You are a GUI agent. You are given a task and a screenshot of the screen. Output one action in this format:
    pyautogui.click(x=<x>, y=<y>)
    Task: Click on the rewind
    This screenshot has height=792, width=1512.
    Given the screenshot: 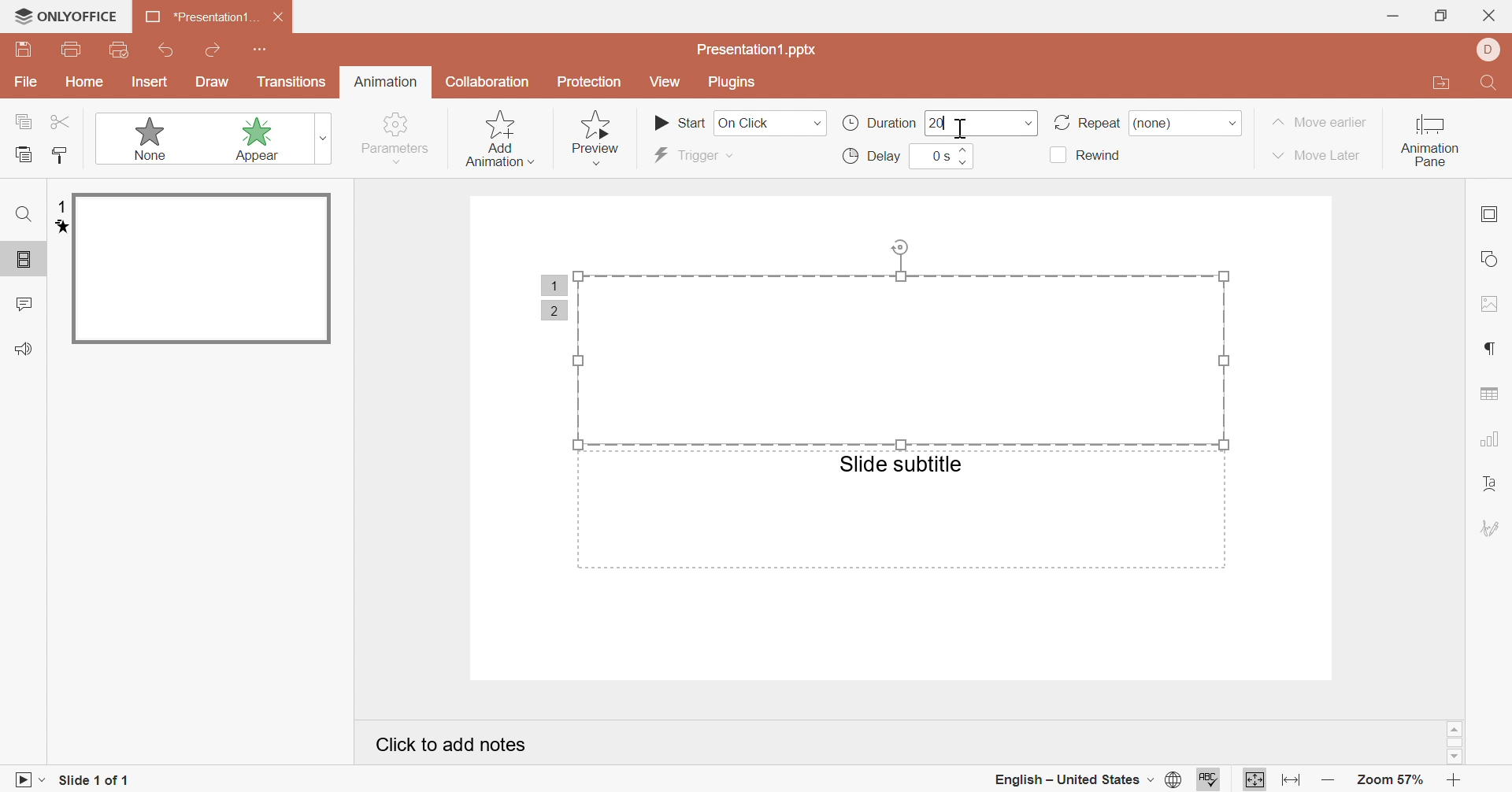 What is the action you would take?
    pyautogui.click(x=1087, y=156)
    